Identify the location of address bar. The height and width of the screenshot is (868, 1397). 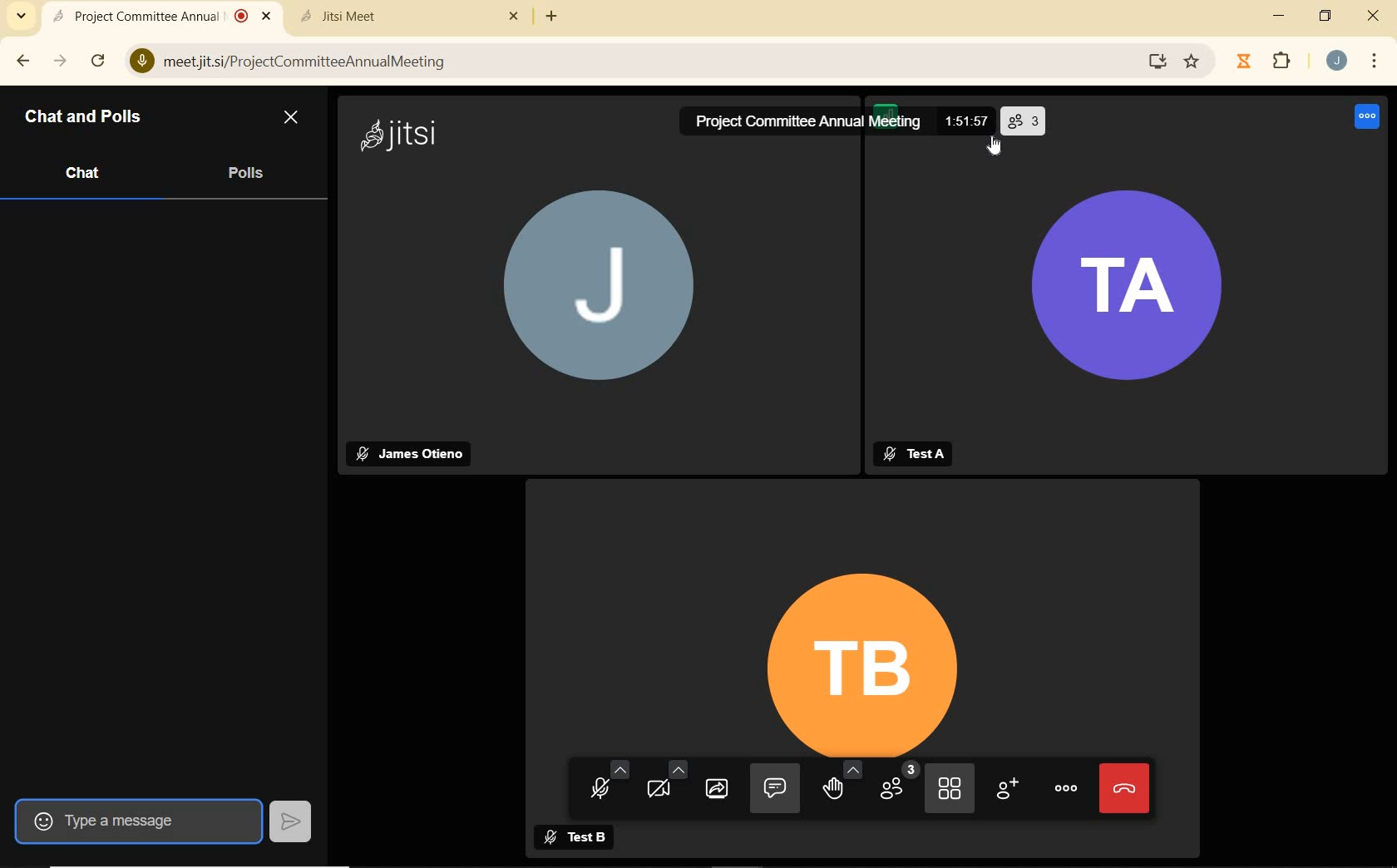
(648, 62).